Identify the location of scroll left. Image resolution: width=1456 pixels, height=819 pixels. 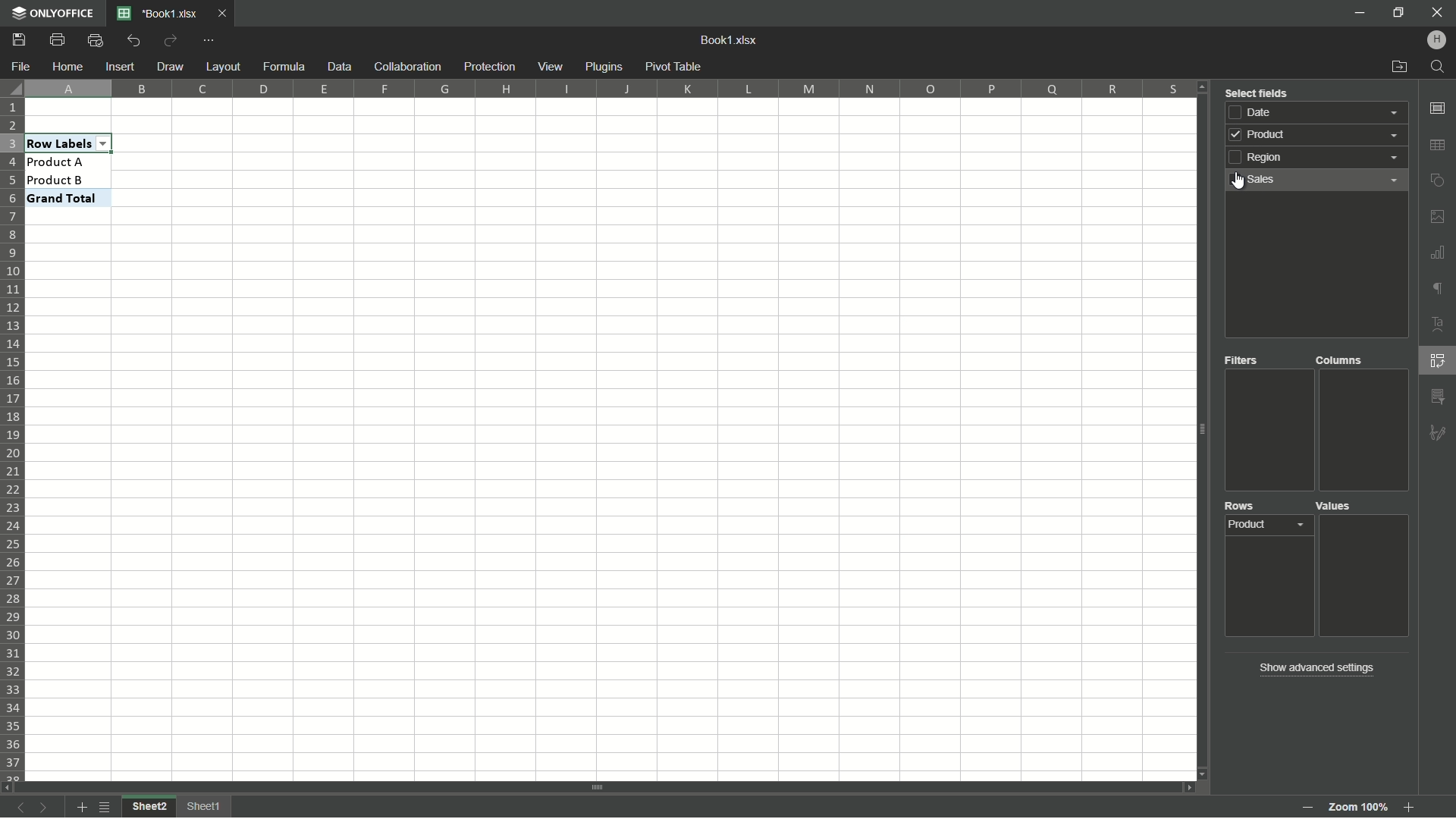
(9, 786).